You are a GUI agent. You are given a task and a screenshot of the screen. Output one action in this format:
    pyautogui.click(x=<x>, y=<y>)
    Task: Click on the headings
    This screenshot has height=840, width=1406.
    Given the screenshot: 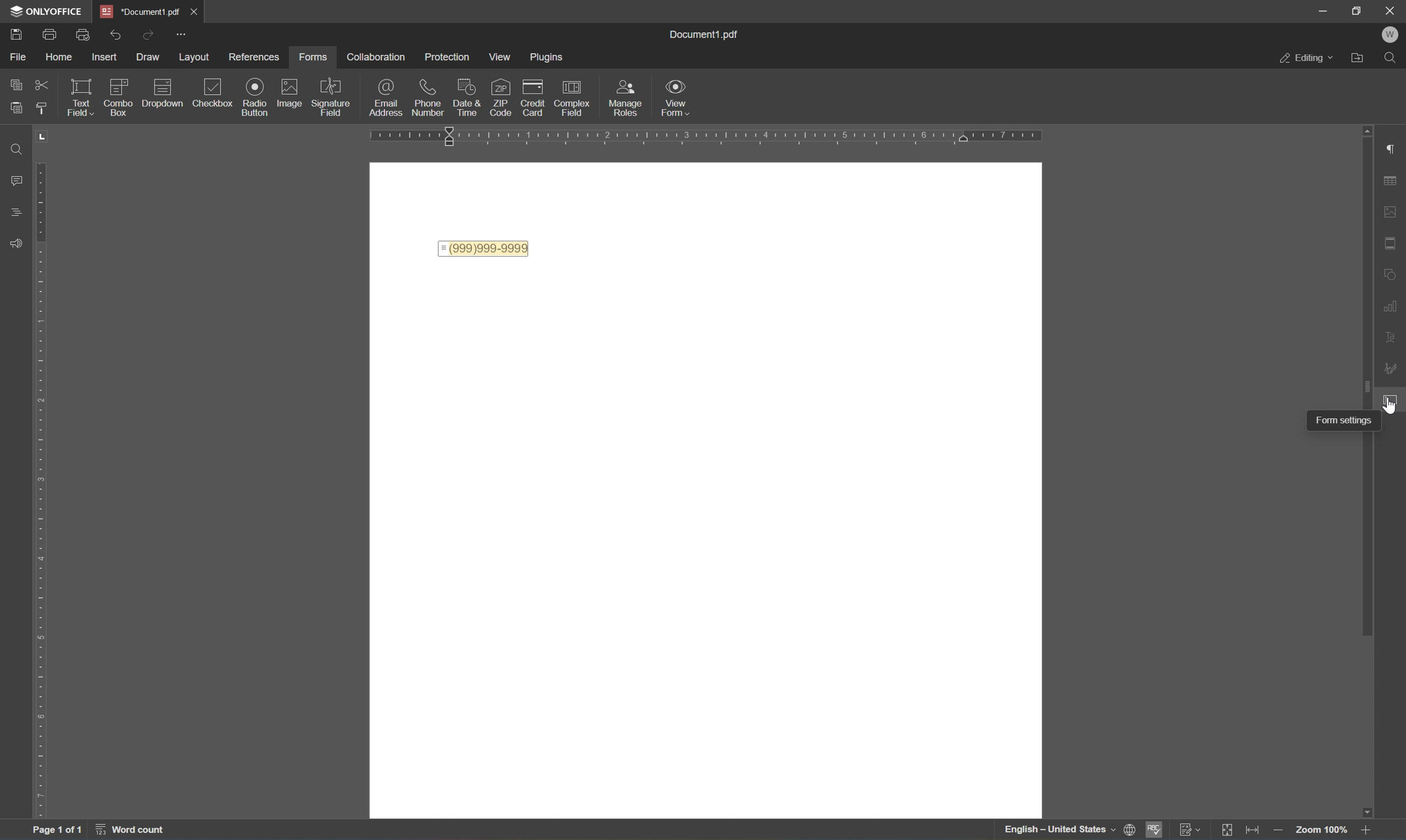 What is the action you would take?
    pyautogui.click(x=14, y=210)
    